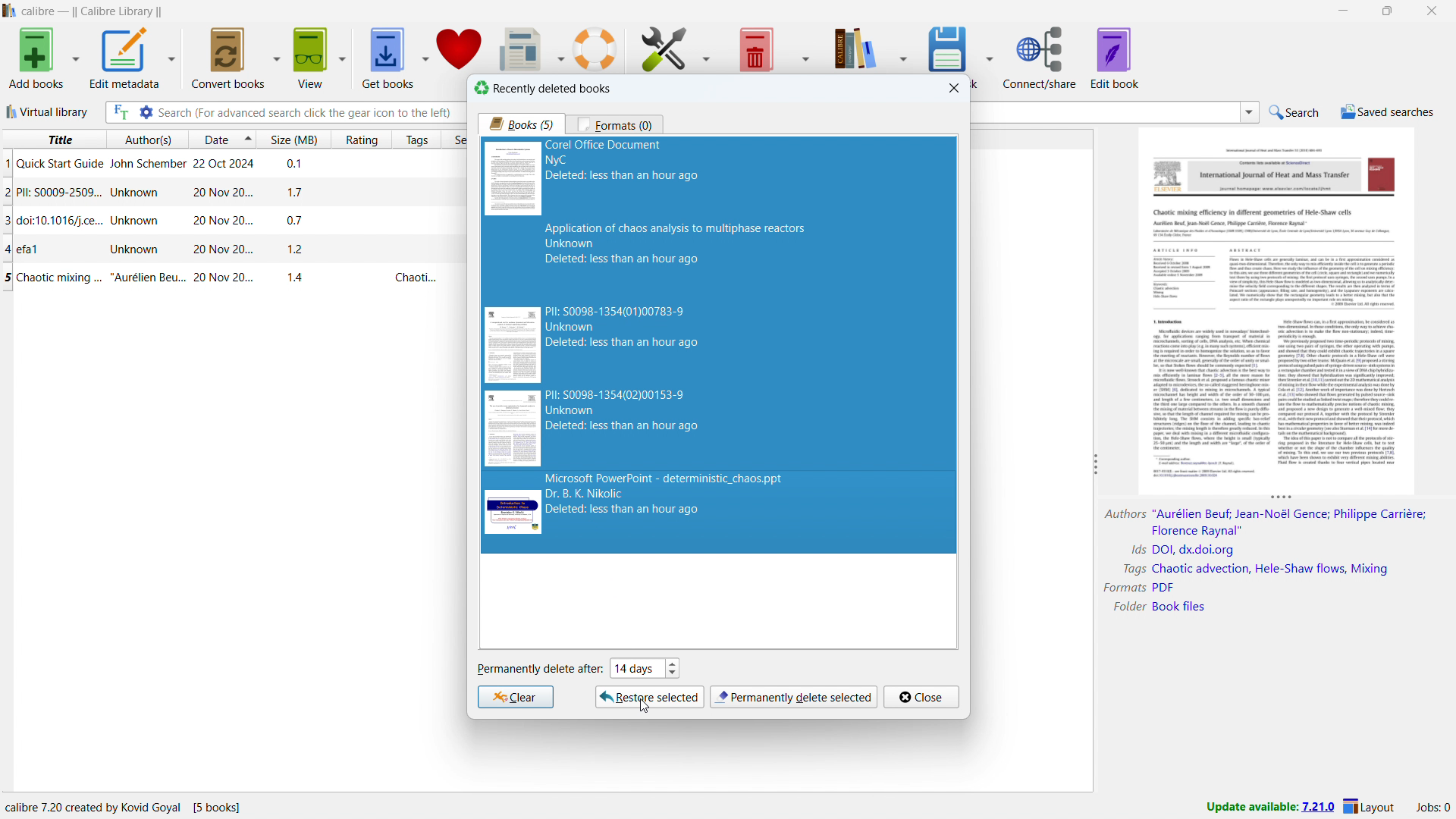  Describe the element at coordinates (226, 165) in the screenshot. I see `single book entry` at that location.